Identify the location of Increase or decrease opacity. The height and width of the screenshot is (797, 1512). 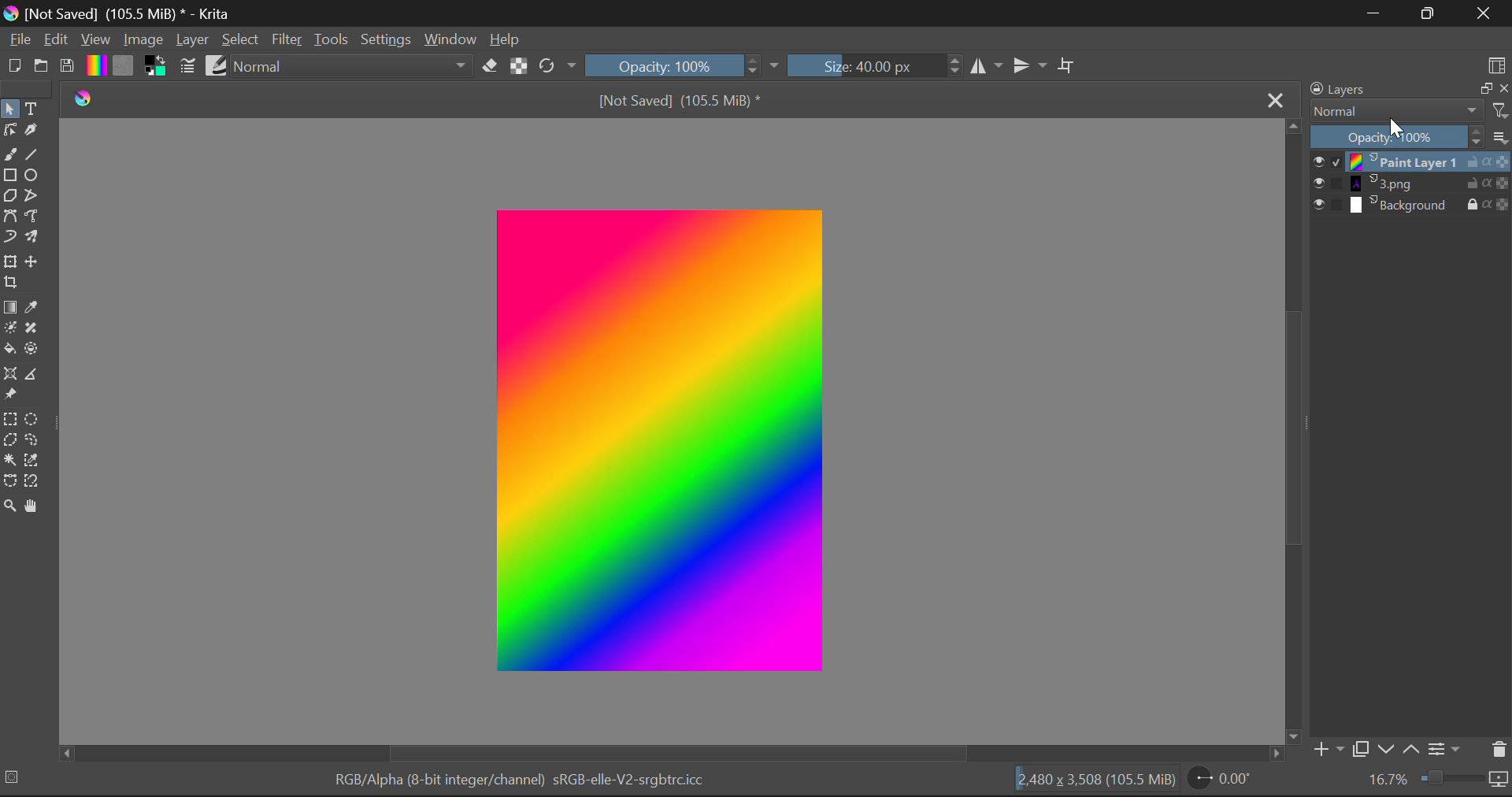
(1478, 137).